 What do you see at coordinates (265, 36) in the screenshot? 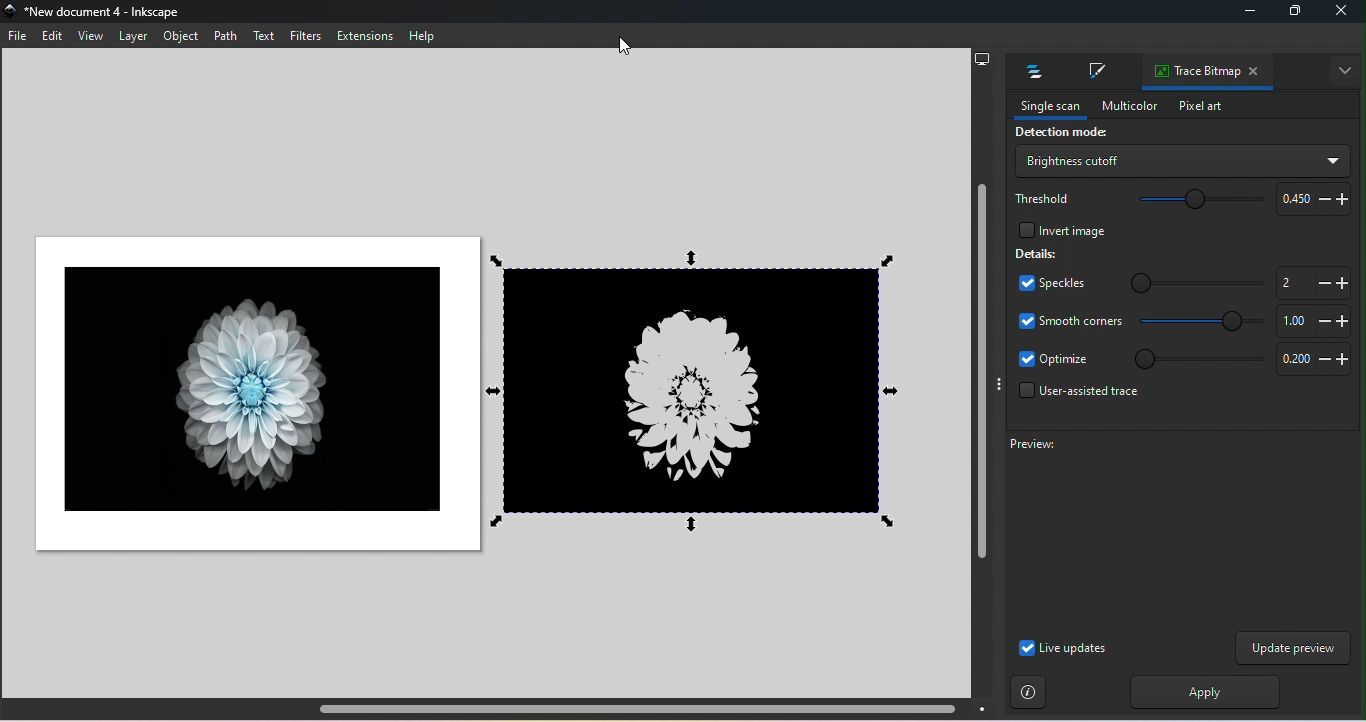
I see `Text` at bounding box center [265, 36].